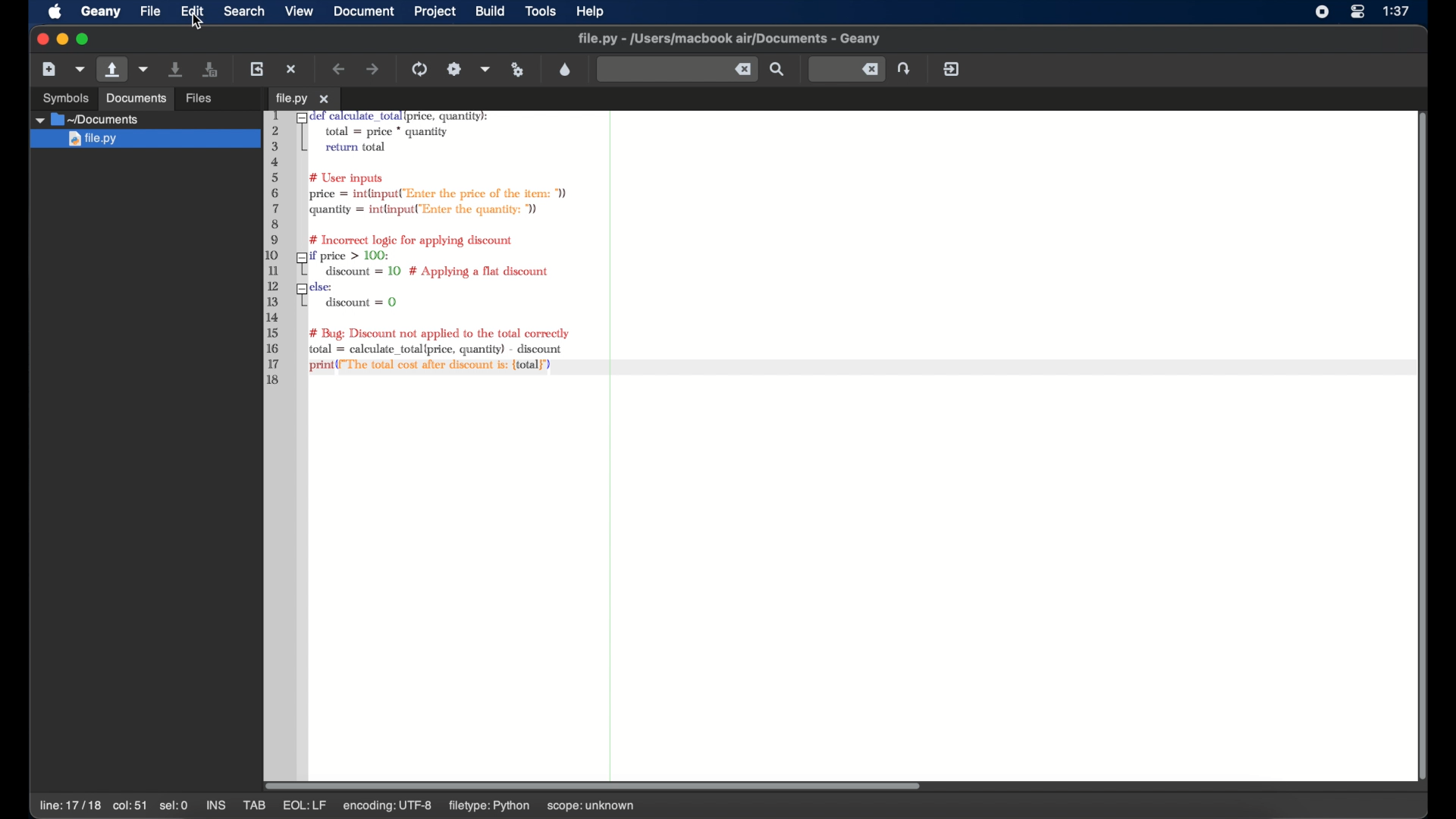 The height and width of the screenshot is (819, 1456). I want to click on reload the current file from disk, so click(258, 68).